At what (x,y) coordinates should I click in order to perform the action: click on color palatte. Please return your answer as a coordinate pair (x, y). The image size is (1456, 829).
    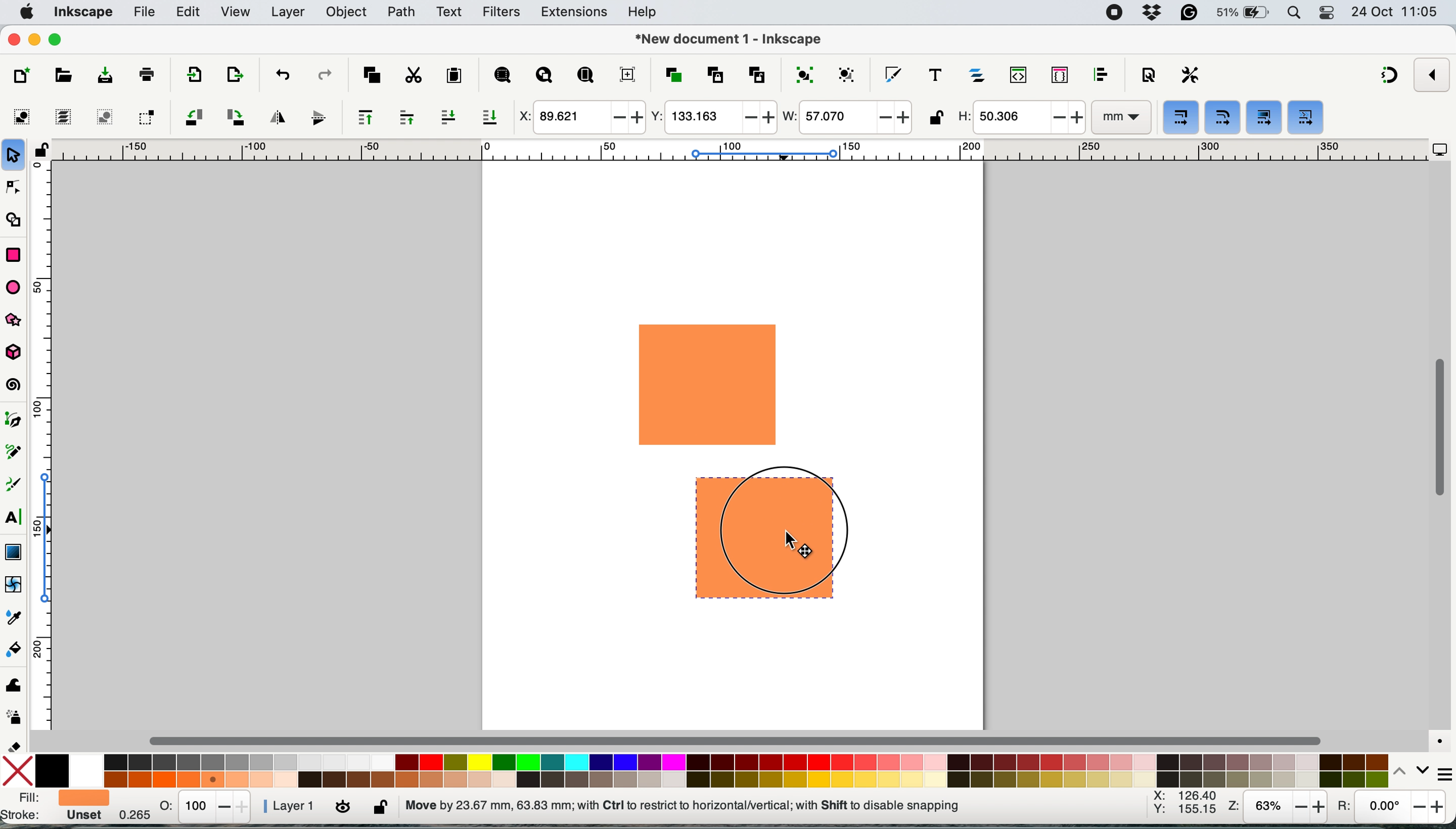
    Looking at the image, I should click on (713, 769).